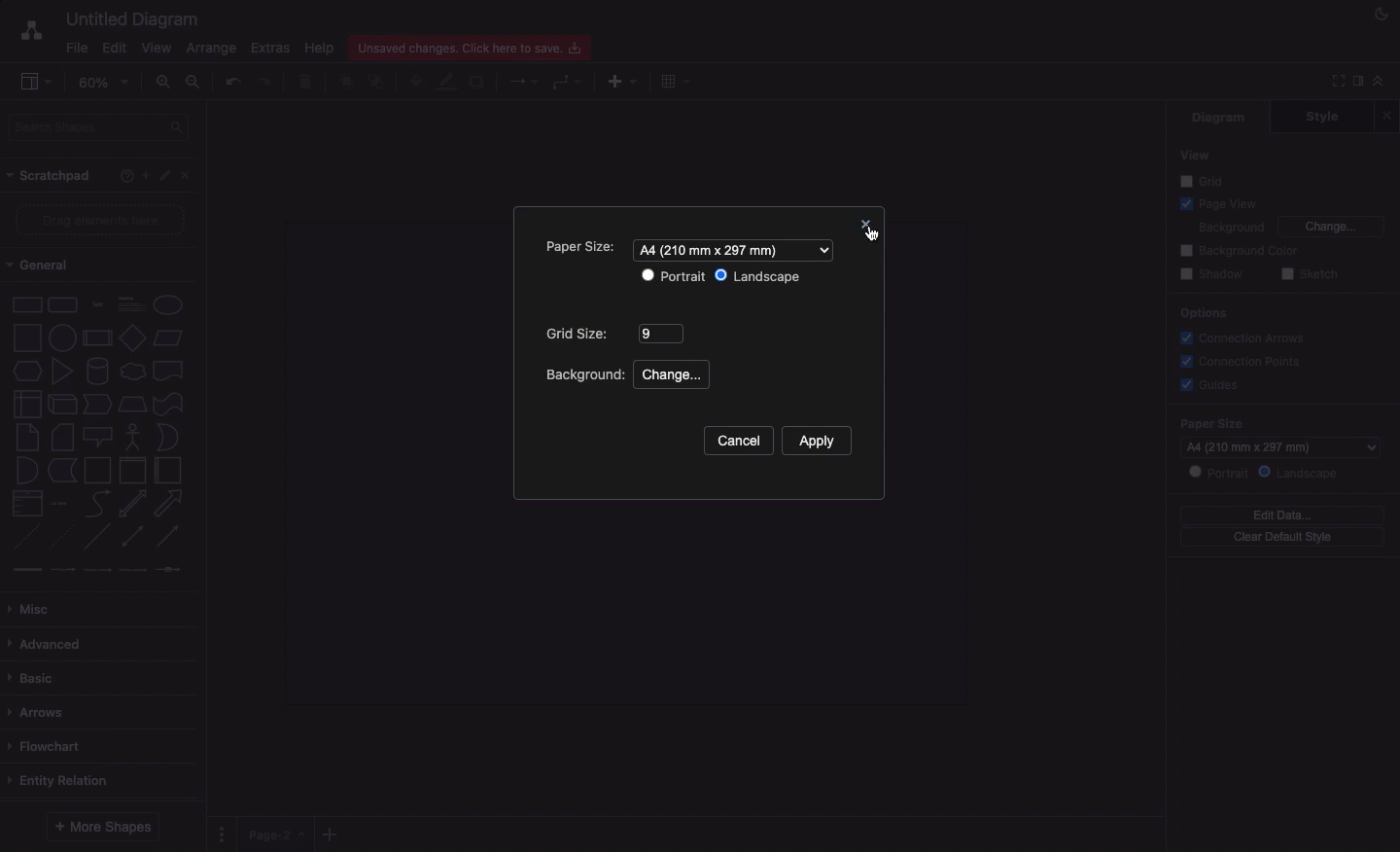 The height and width of the screenshot is (852, 1400). What do you see at coordinates (128, 18) in the screenshot?
I see `Untitled` at bounding box center [128, 18].